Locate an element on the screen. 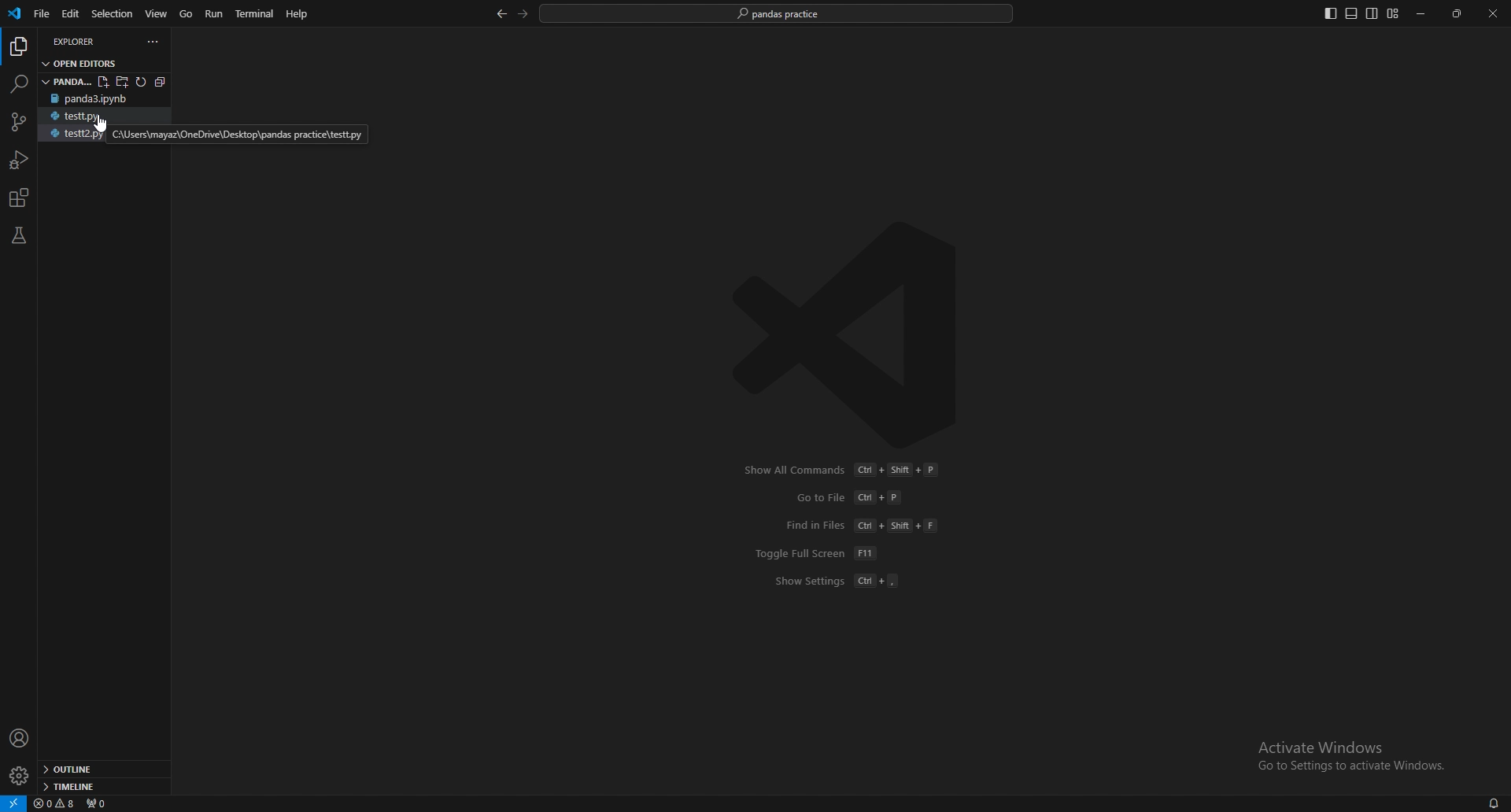 This screenshot has height=812, width=1511. toggle primary side bar is located at coordinates (1332, 13).